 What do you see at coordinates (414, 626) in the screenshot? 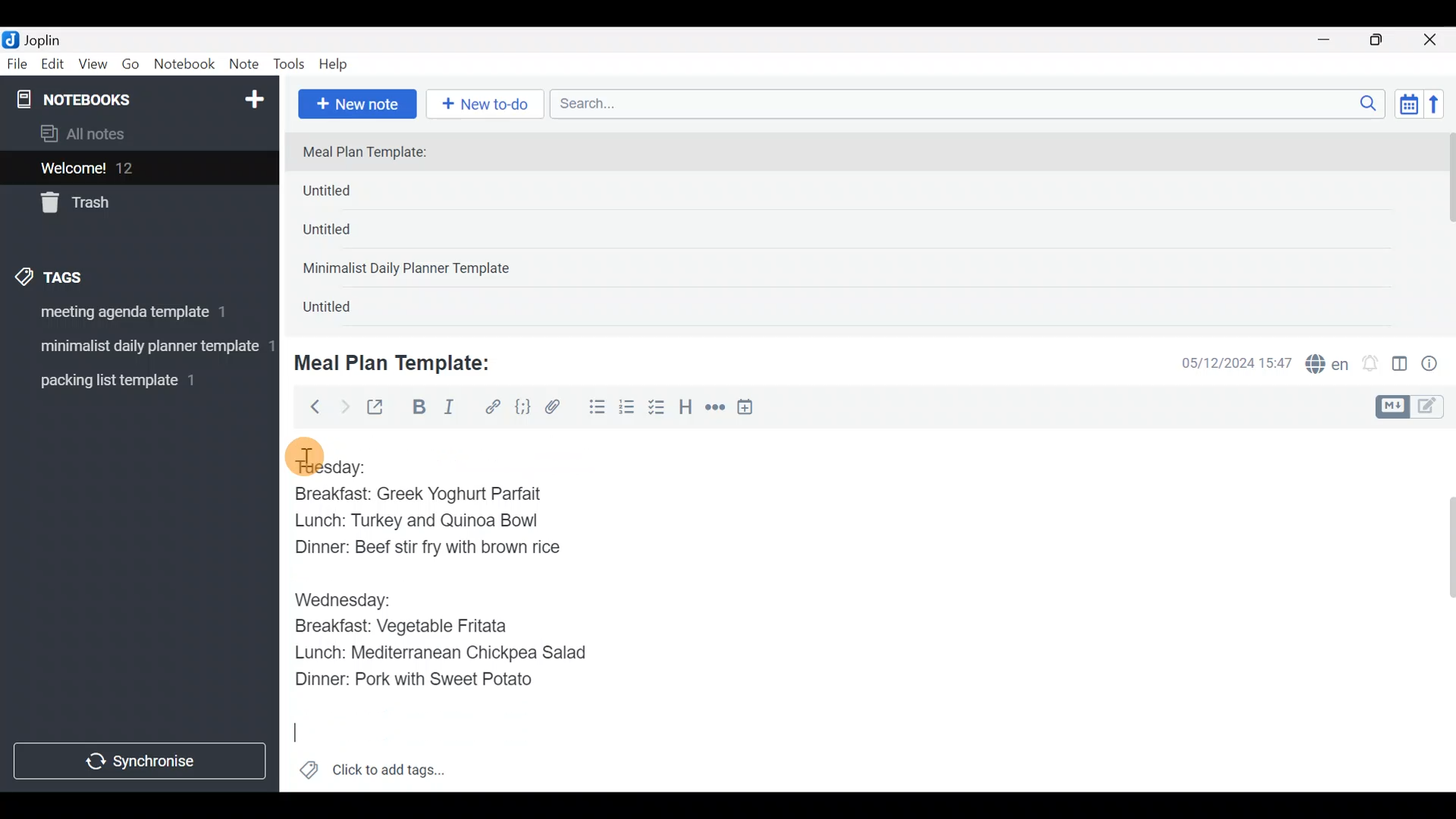
I see `Breakfast: Vegetable Fritata` at bounding box center [414, 626].